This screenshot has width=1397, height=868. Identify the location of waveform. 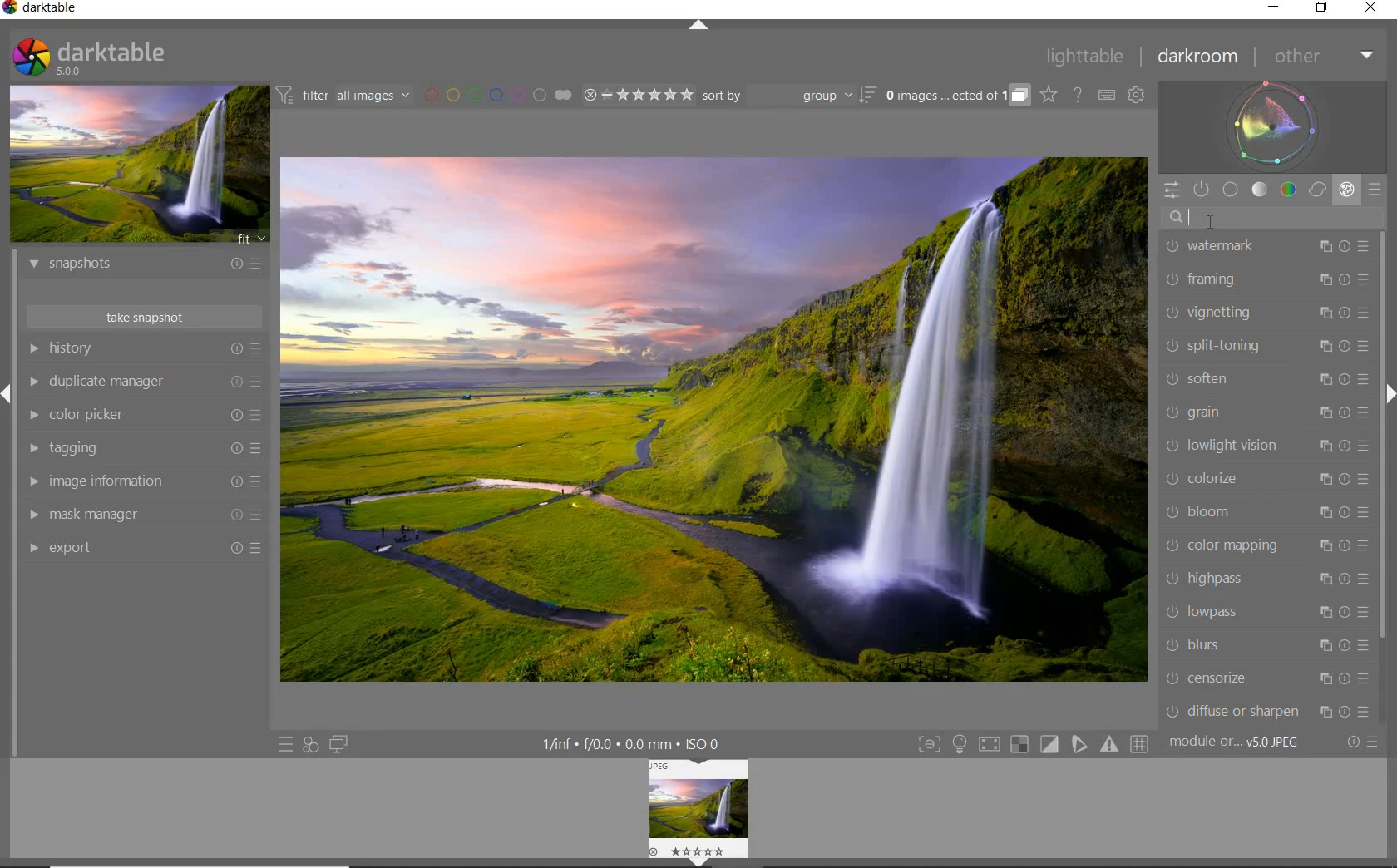
(1273, 126).